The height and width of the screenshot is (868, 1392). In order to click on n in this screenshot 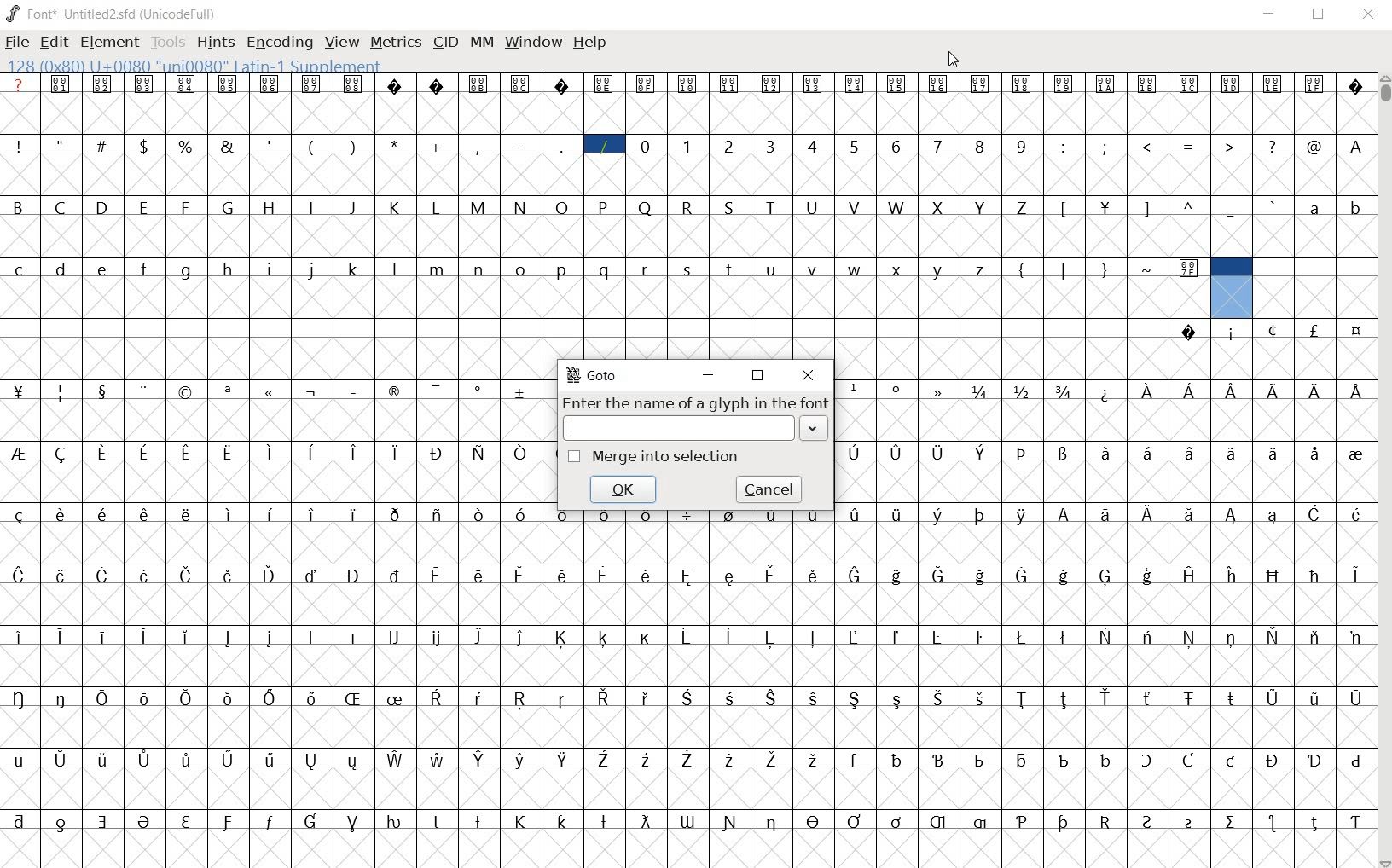, I will do `click(480, 268)`.